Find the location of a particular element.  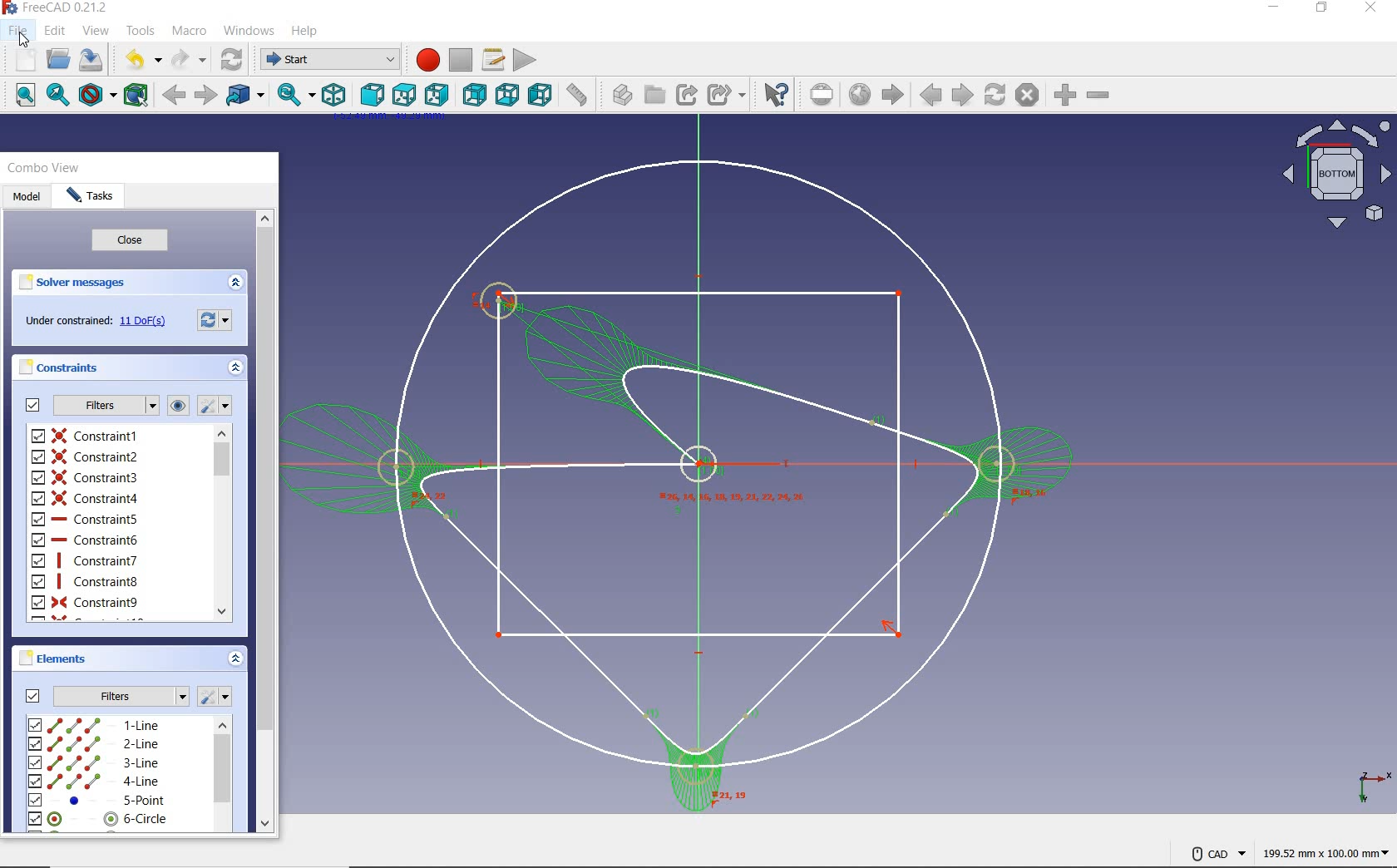

bottom is located at coordinates (509, 96).